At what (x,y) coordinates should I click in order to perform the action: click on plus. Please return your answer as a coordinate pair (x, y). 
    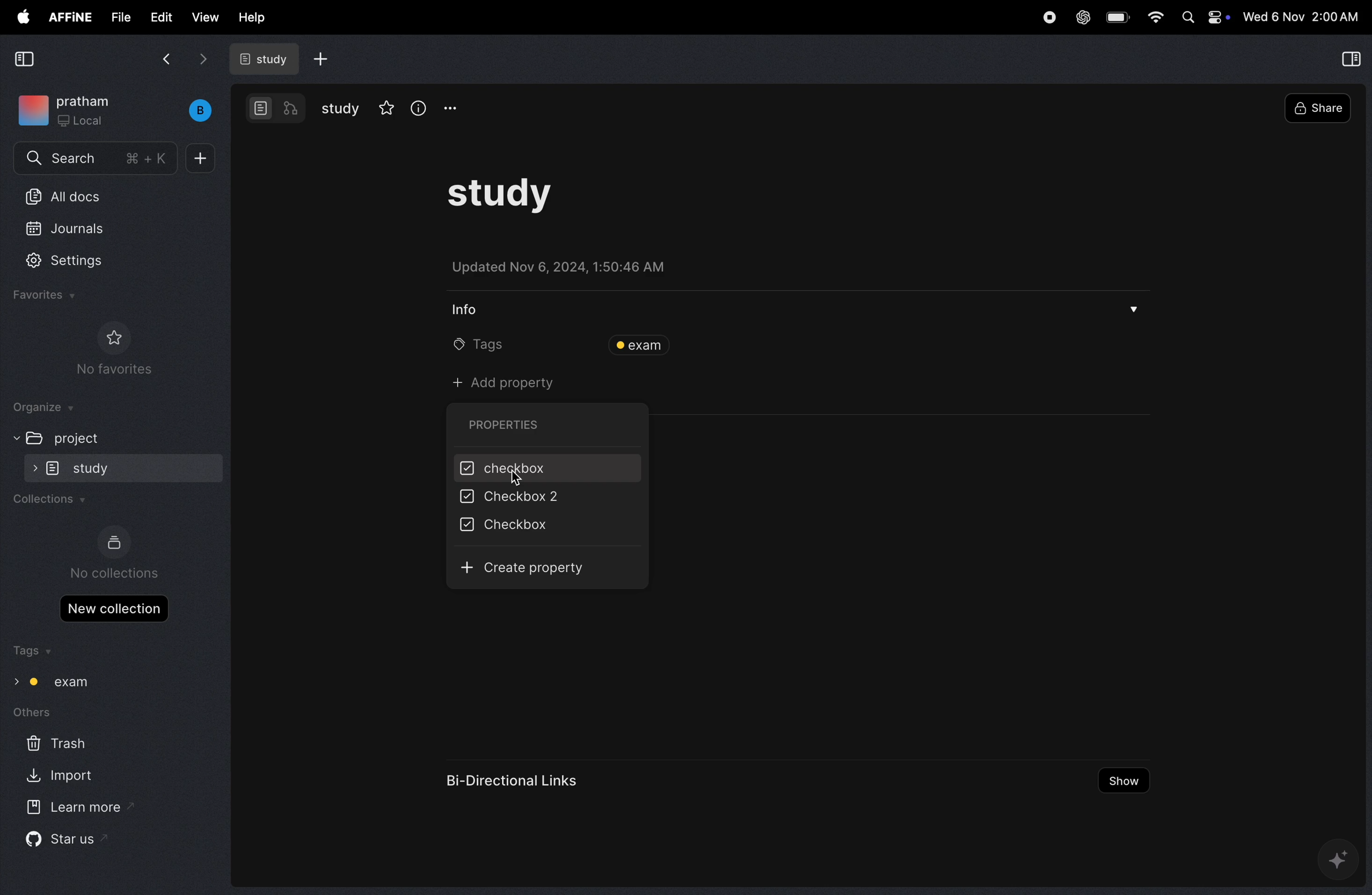
    Looking at the image, I should click on (201, 157).